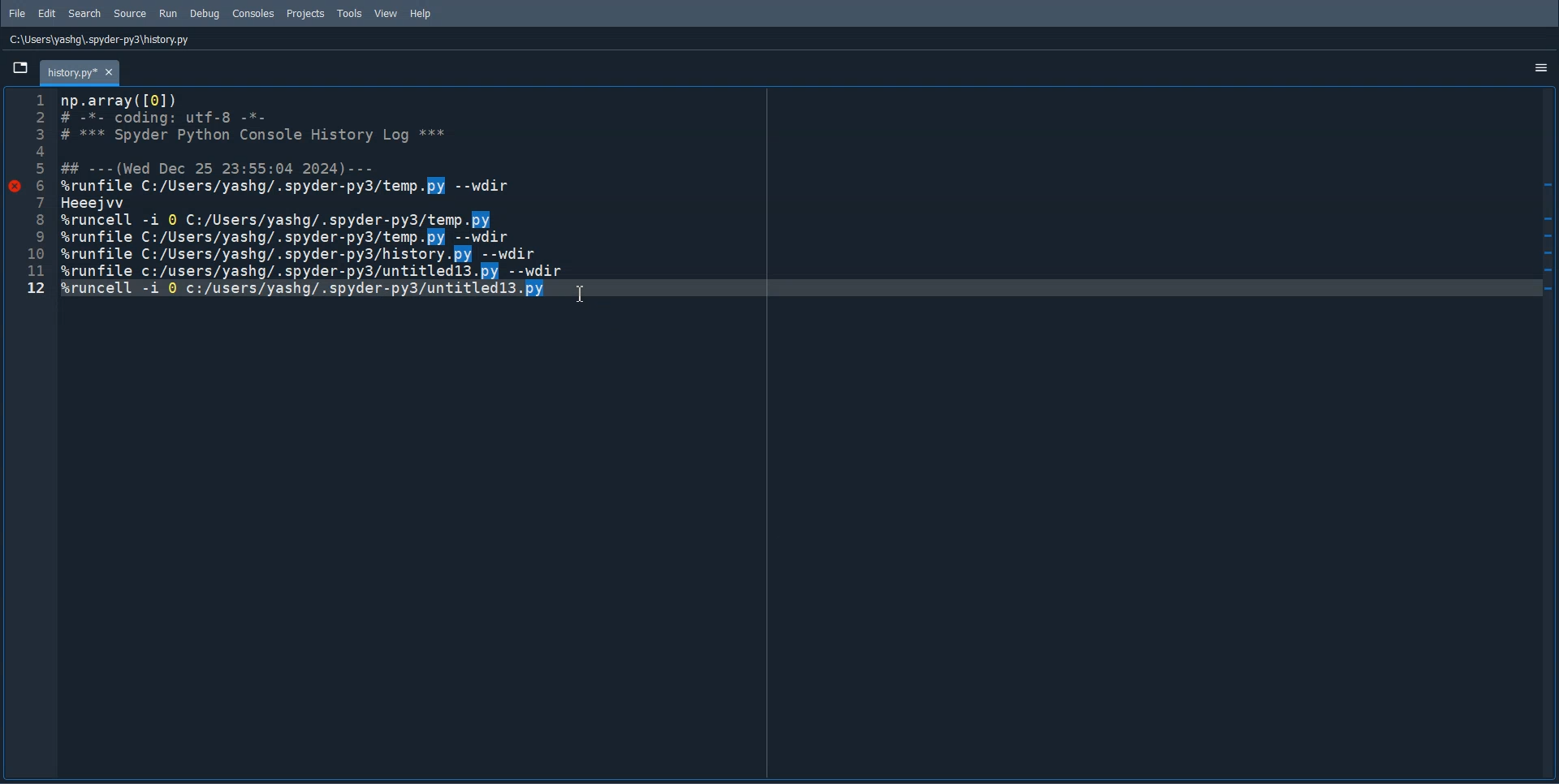 The width and height of the screenshot is (1559, 784). I want to click on Browse Tab, so click(19, 67).